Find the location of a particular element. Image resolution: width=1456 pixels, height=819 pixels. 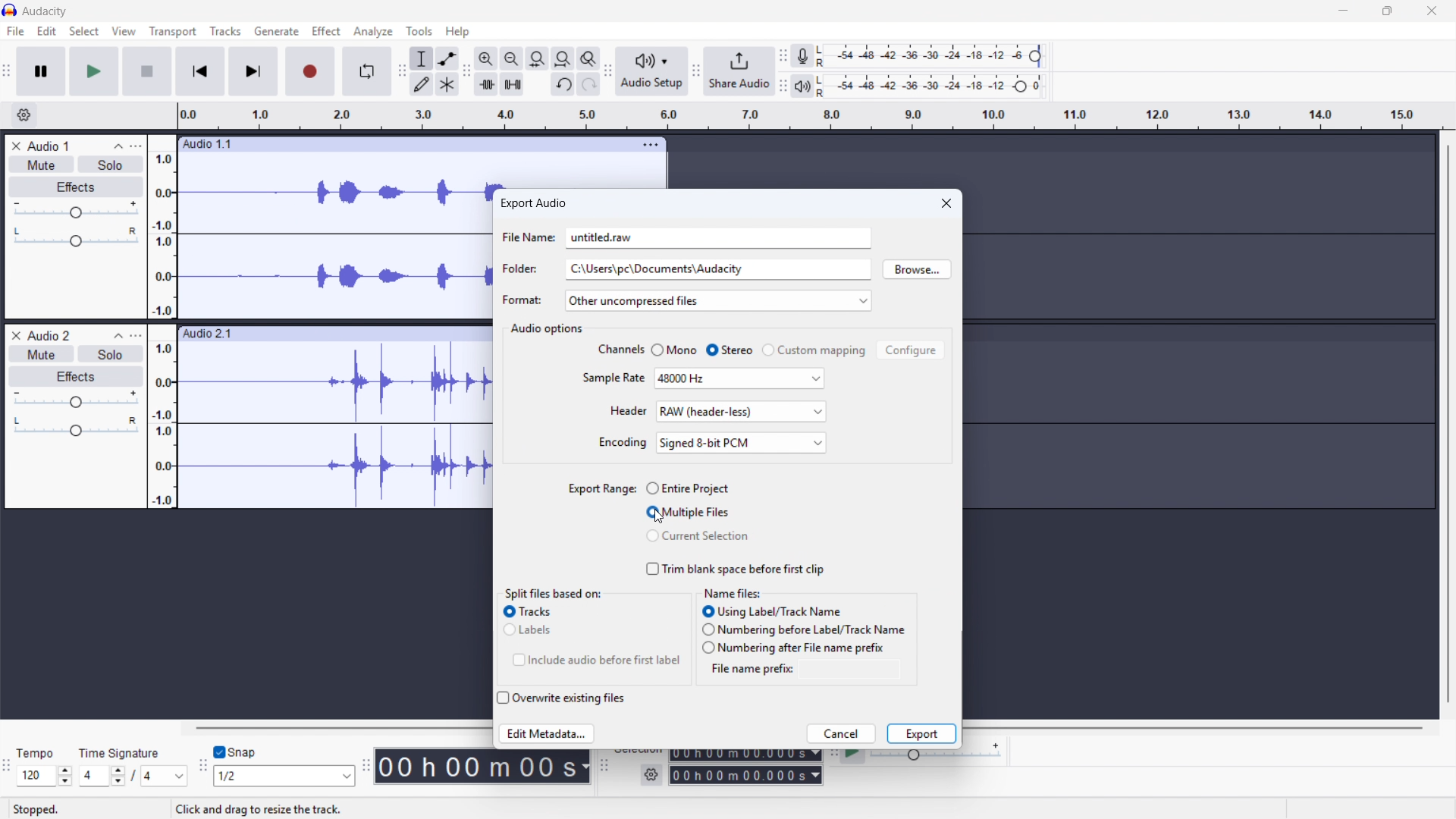

View  is located at coordinates (124, 31).